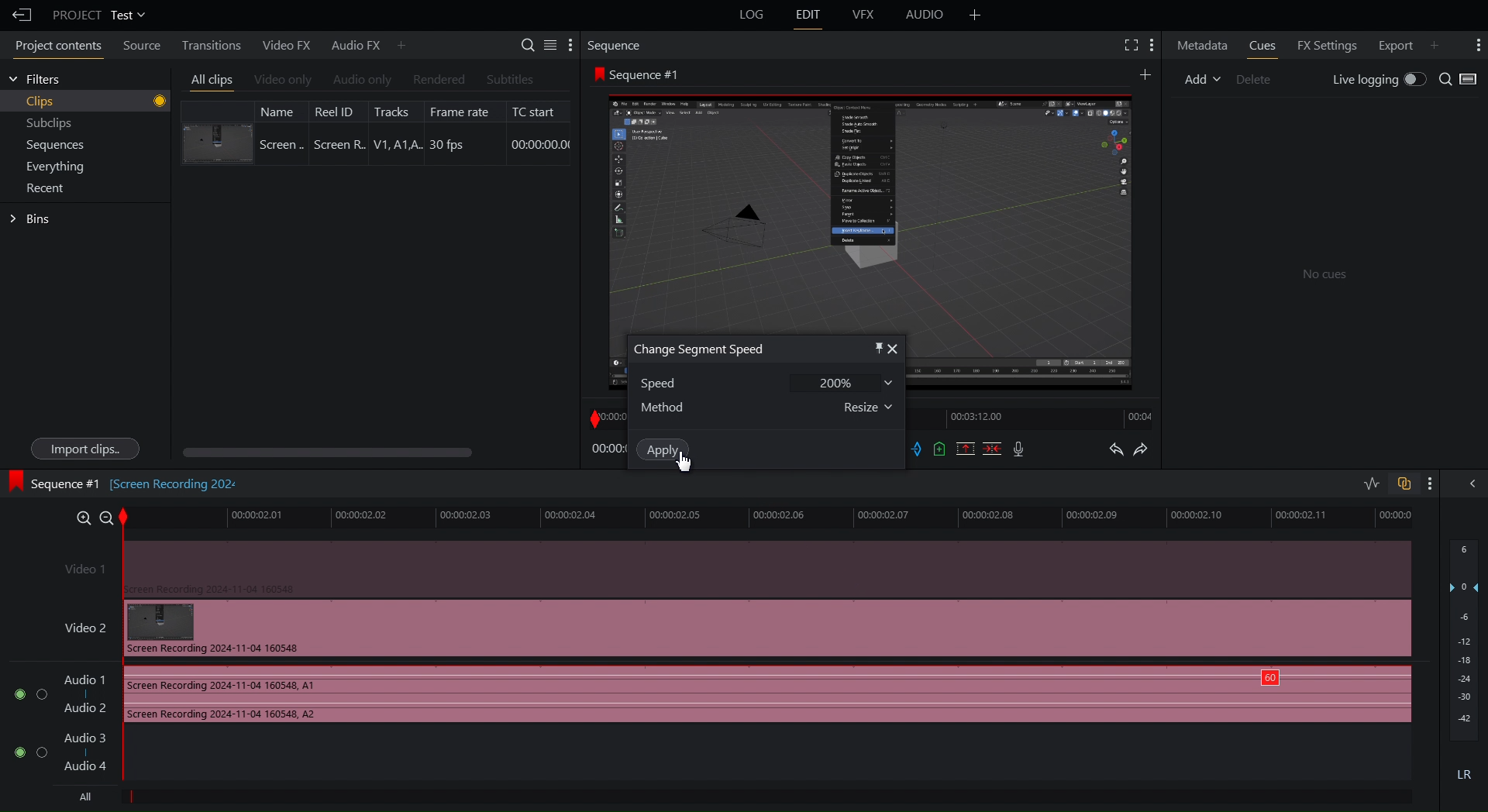 The height and width of the screenshot is (812, 1488). I want to click on Video Only, so click(283, 81).